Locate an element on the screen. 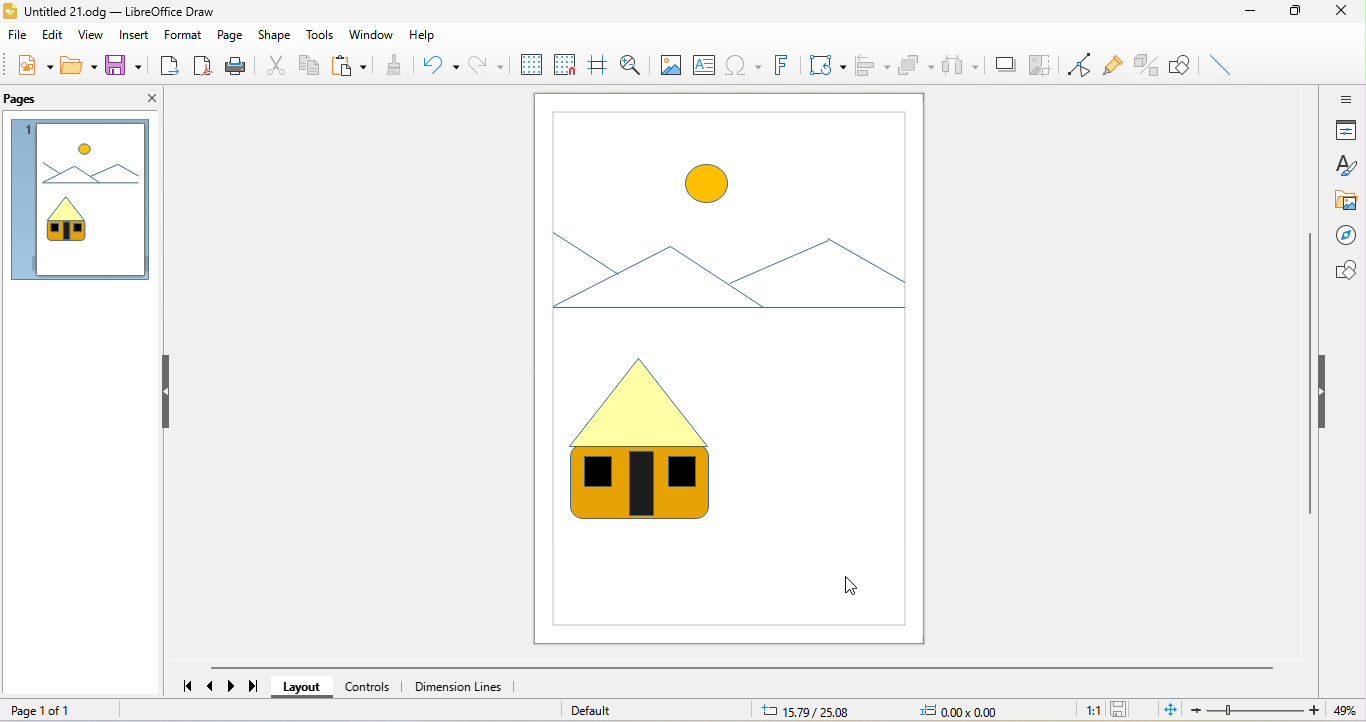  snap to grid is located at coordinates (567, 64).